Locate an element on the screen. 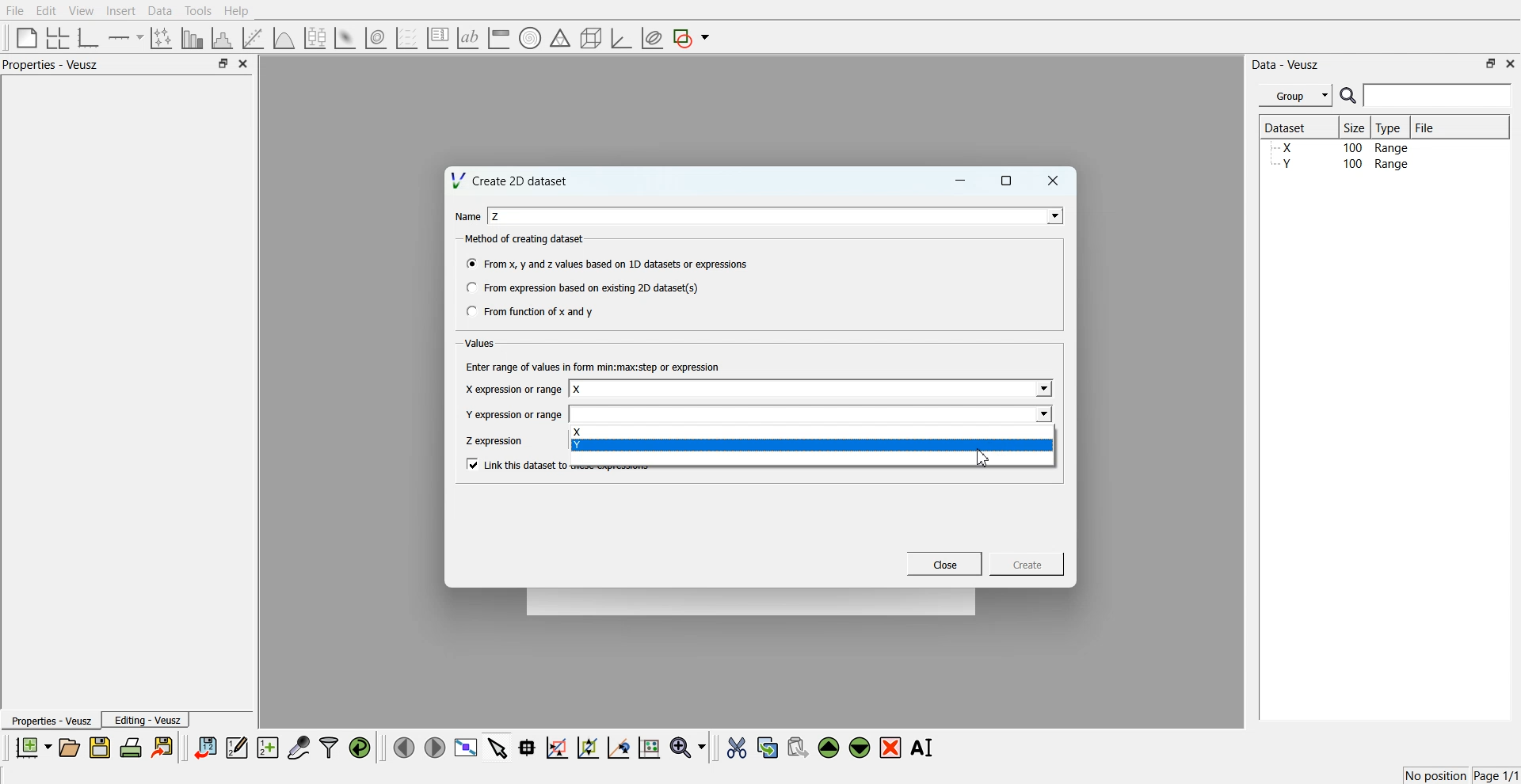 The height and width of the screenshot is (784, 1521). Read data points from graph is located at coordinates (528, 747).